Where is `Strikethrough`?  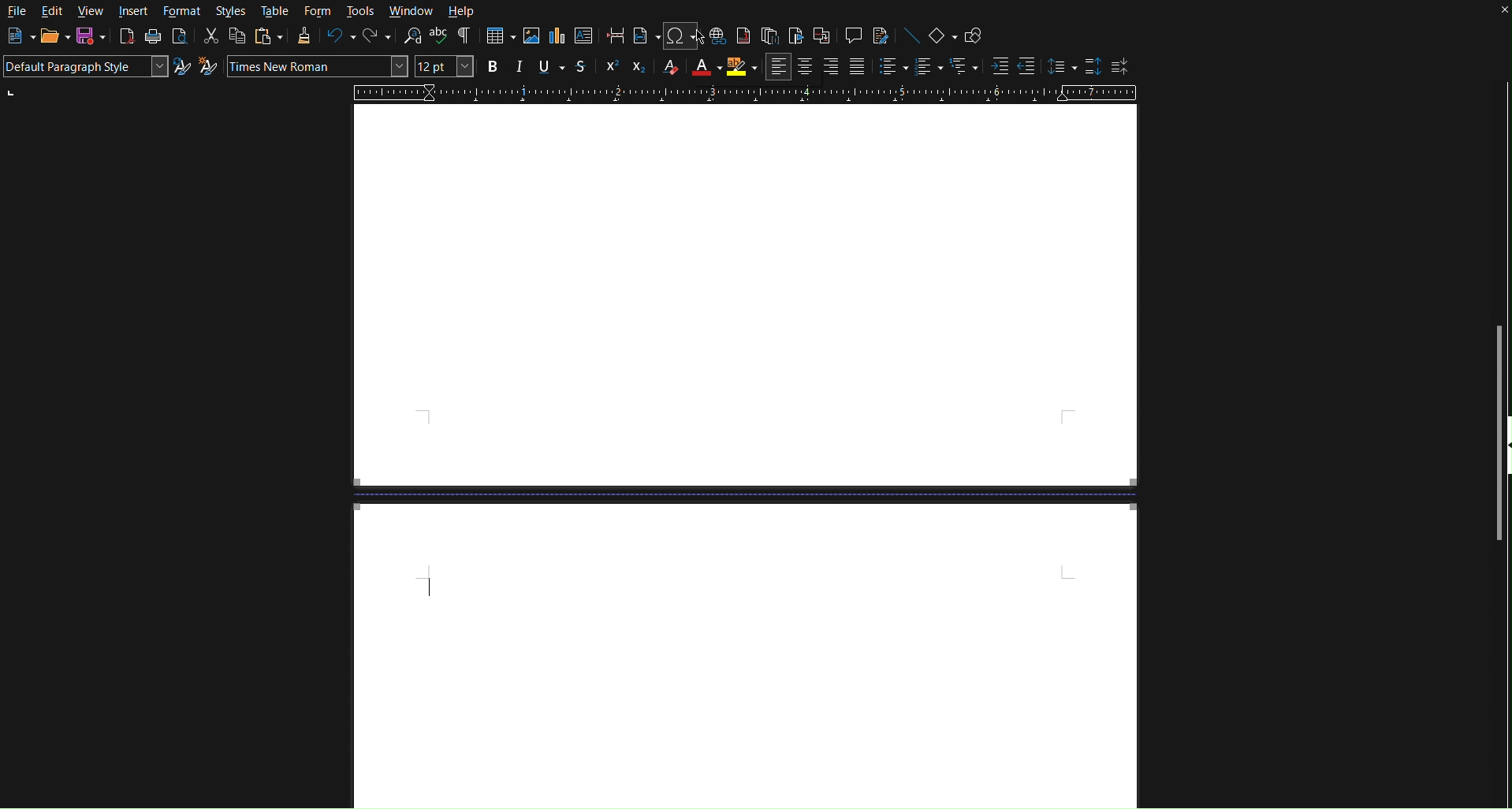
Strikethrough is located at coordinates (583, 68).